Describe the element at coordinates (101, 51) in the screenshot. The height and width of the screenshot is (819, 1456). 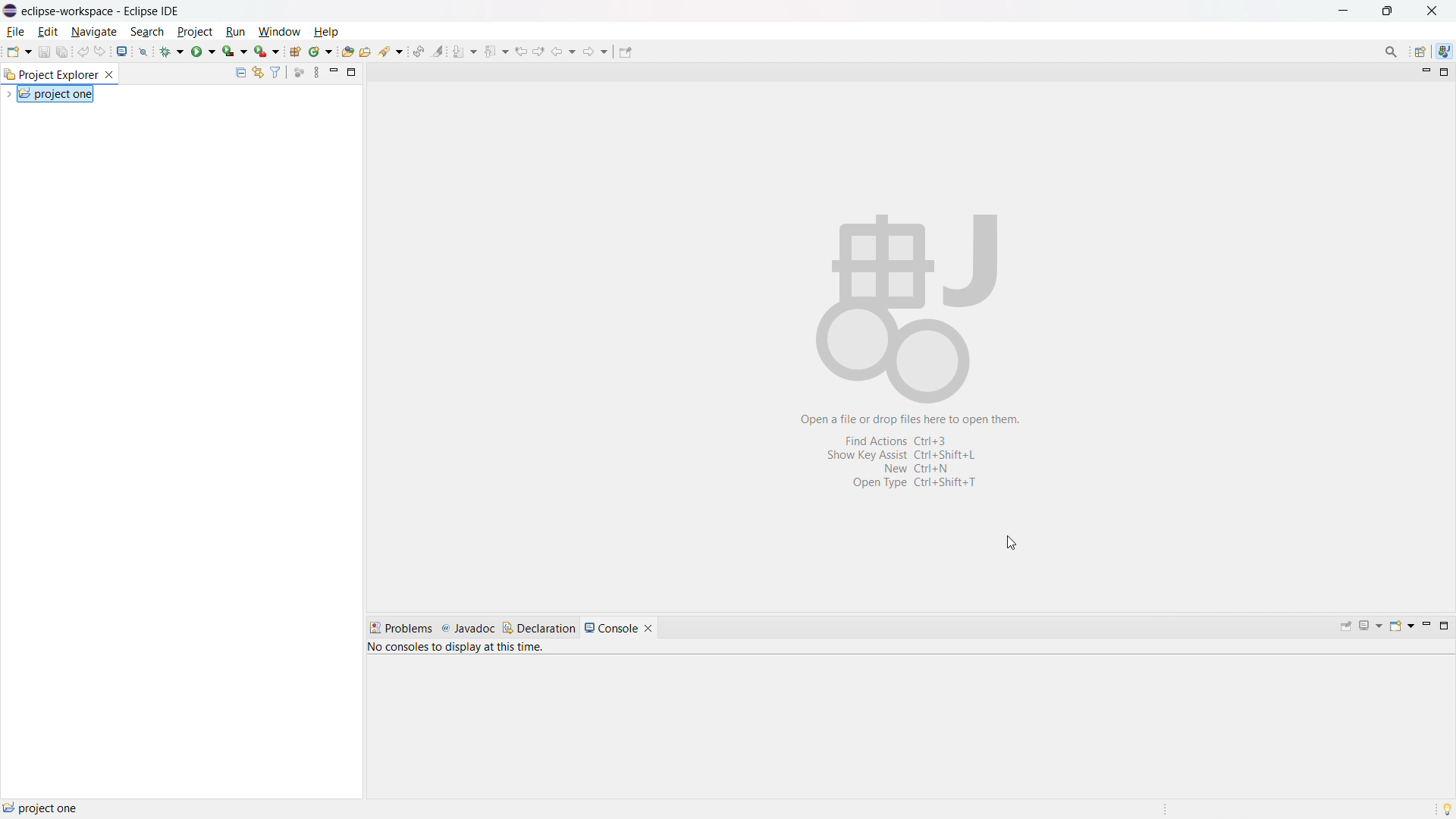
I see `redo` at that location.